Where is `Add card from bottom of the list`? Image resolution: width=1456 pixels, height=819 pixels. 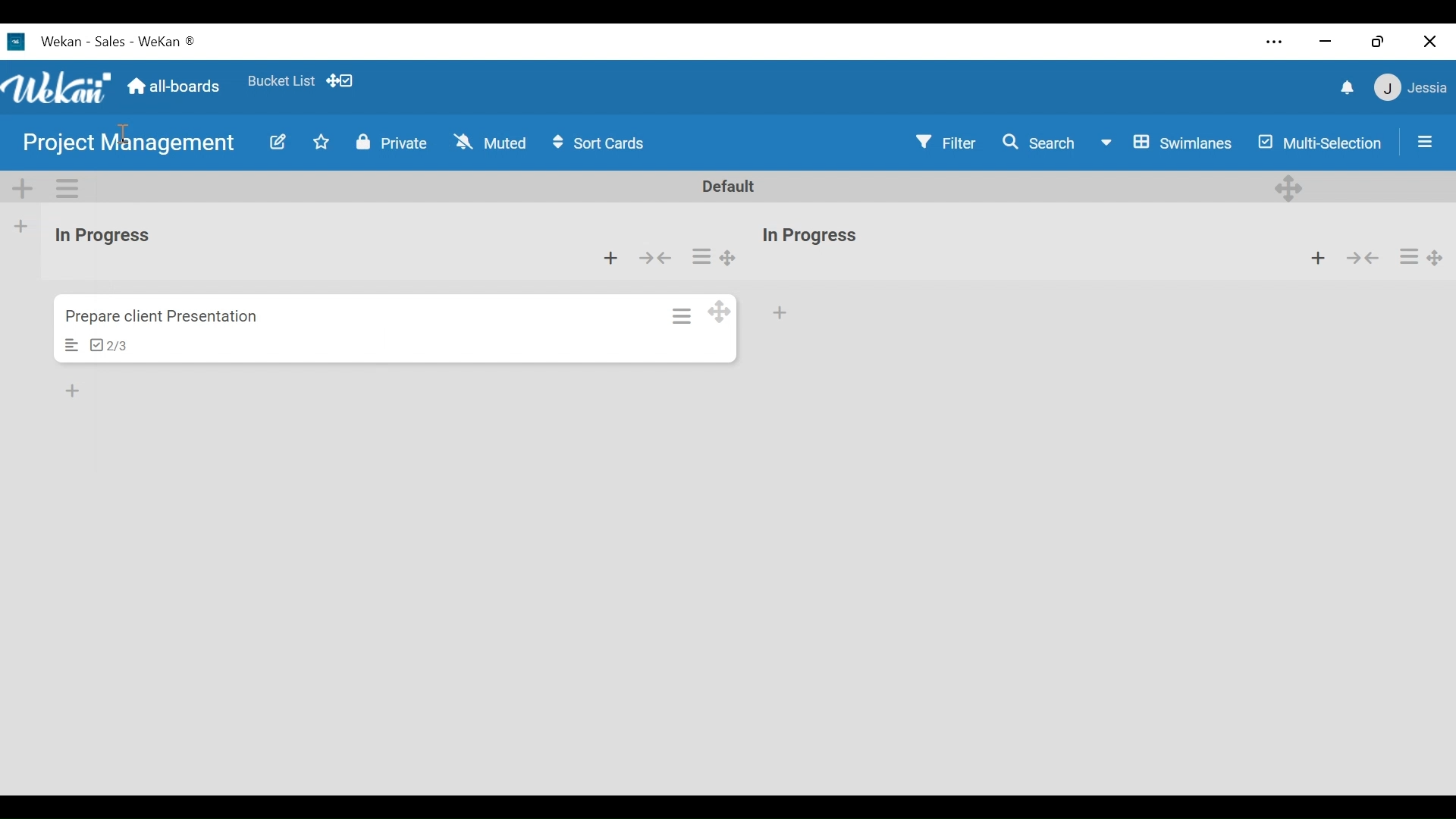 Add card from bottom of the list is located at coordinates (610, 259).